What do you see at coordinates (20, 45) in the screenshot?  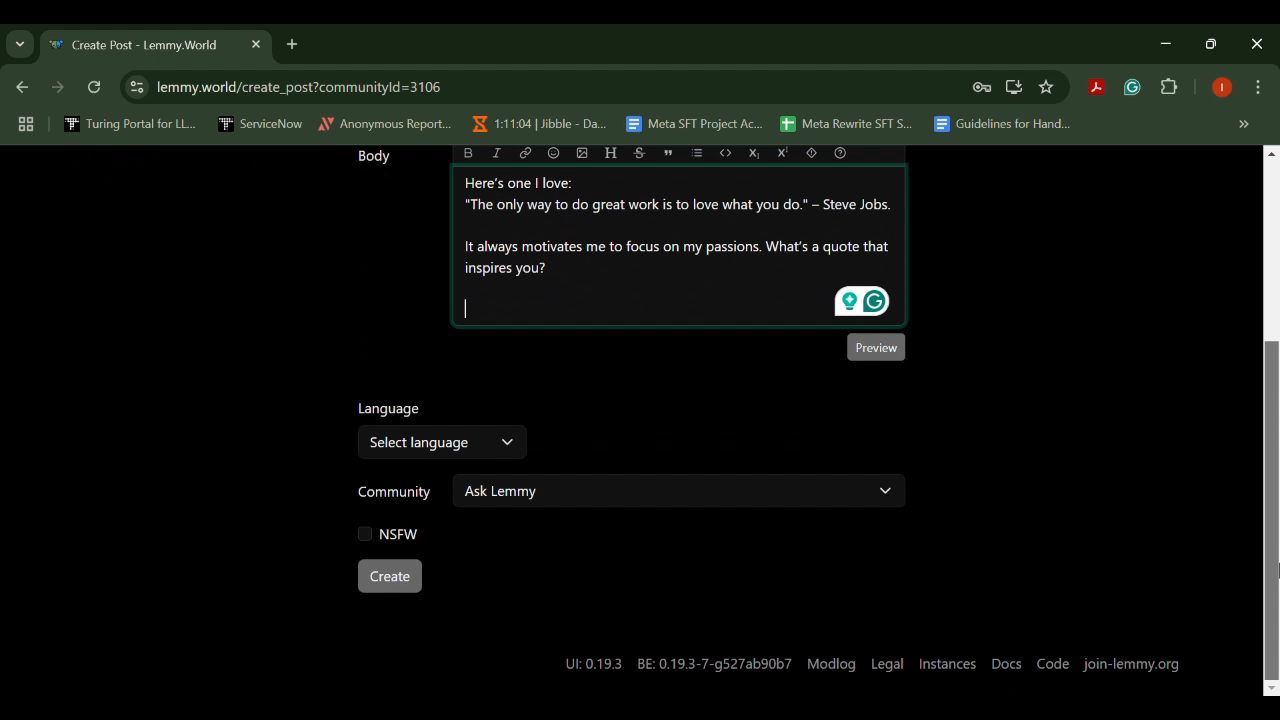 I see `Previous Page Dropdown Menu` at bounding box center [20, 45].